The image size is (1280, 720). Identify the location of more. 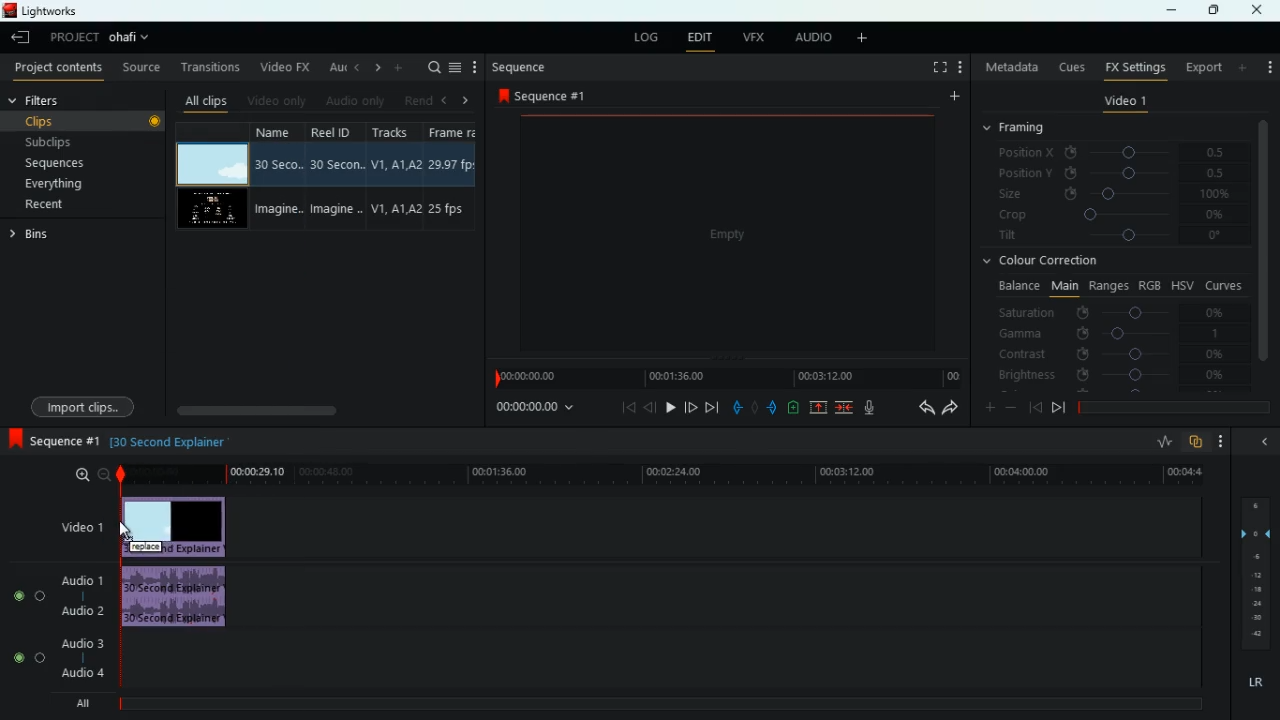
(1244, 67).